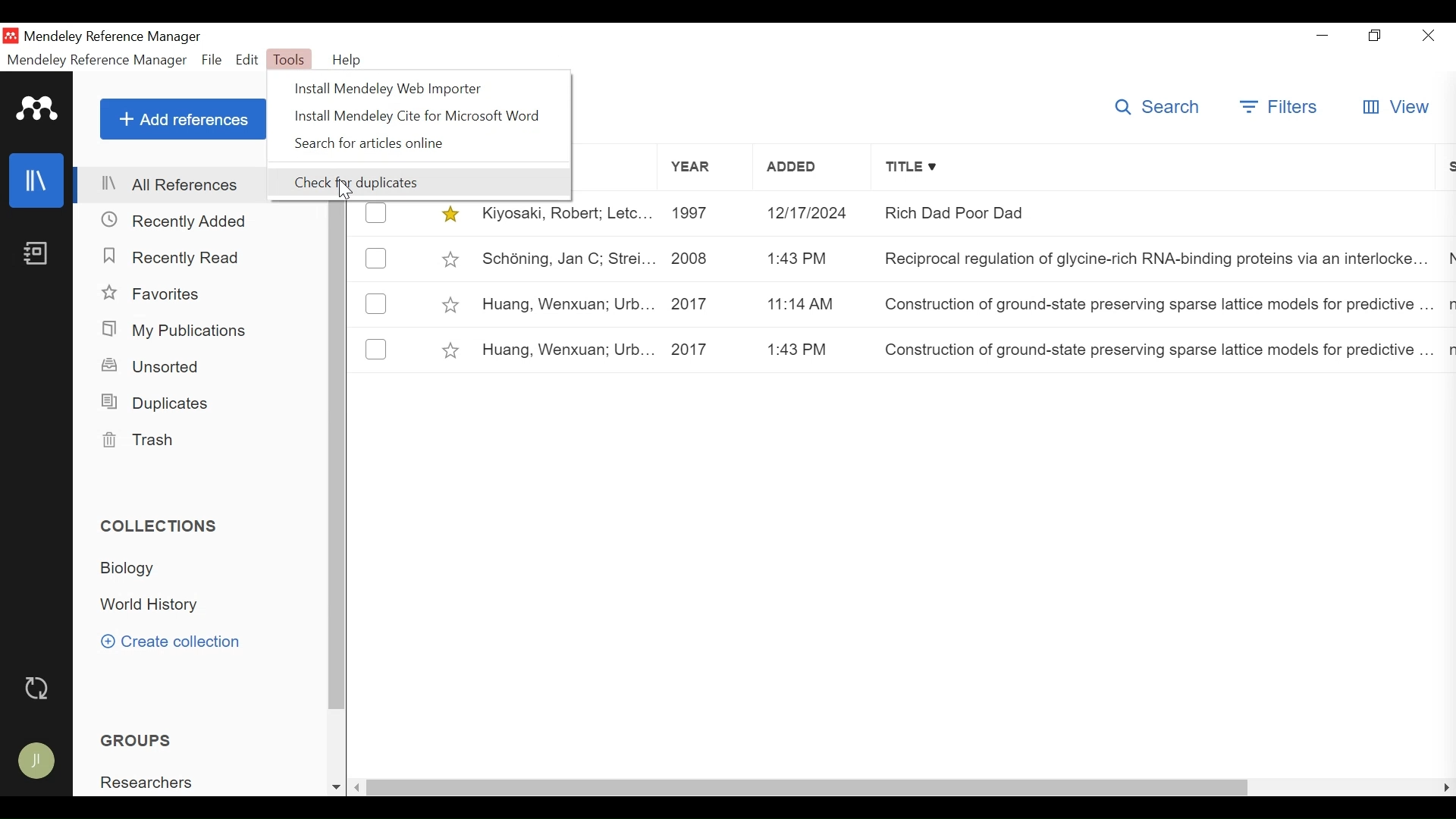 Image resolution: width=1456 pixels, height=819 pixels. What do you see at coordinates (427, 179) in the screenshot?
I see `Check for Duplicates` at bounding box center [427, 179].